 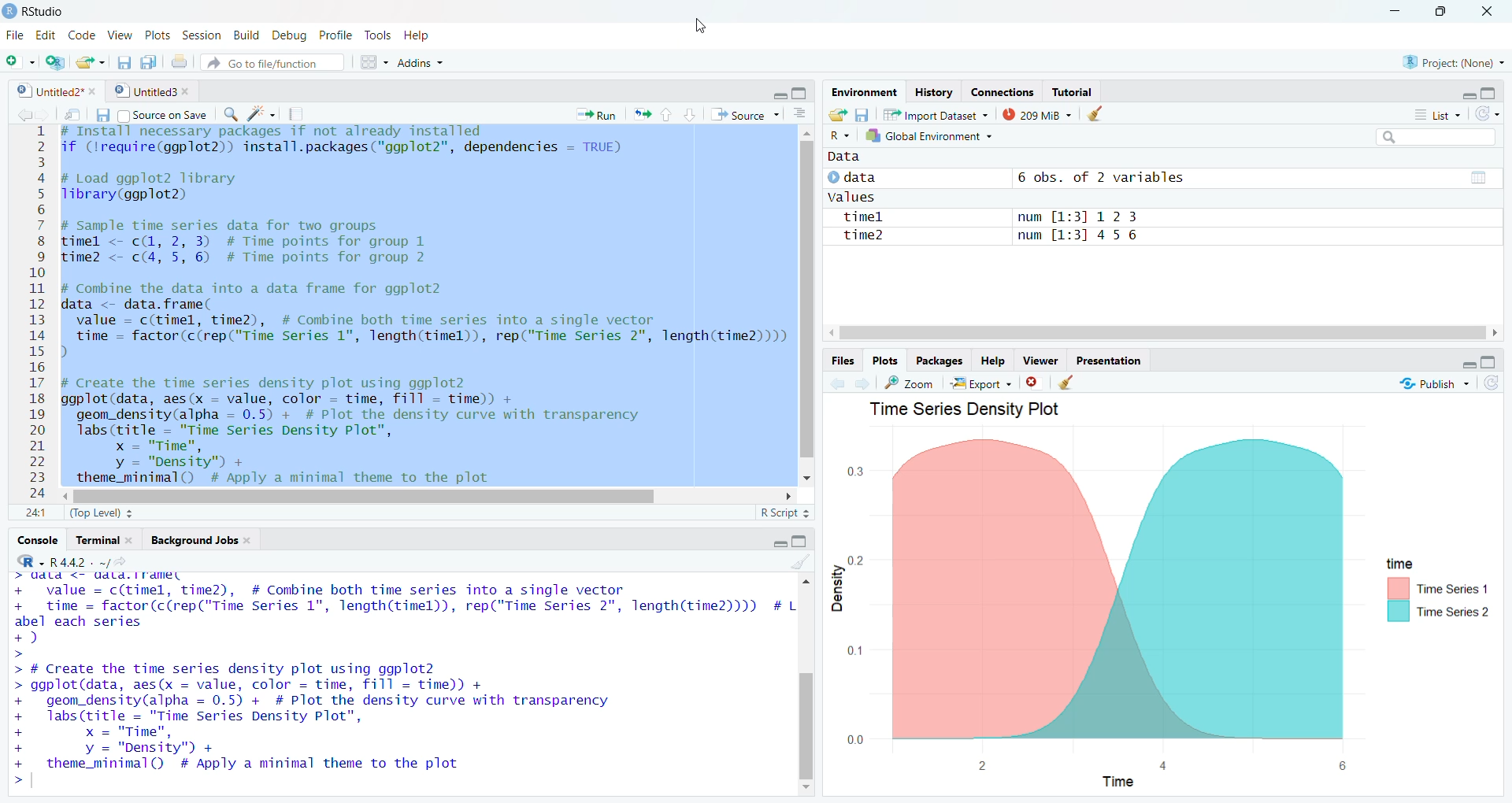 What do you see at coordinates (1106, 361) in the screenshot?
I see `Presentation` at bounding box center [1106, 361].